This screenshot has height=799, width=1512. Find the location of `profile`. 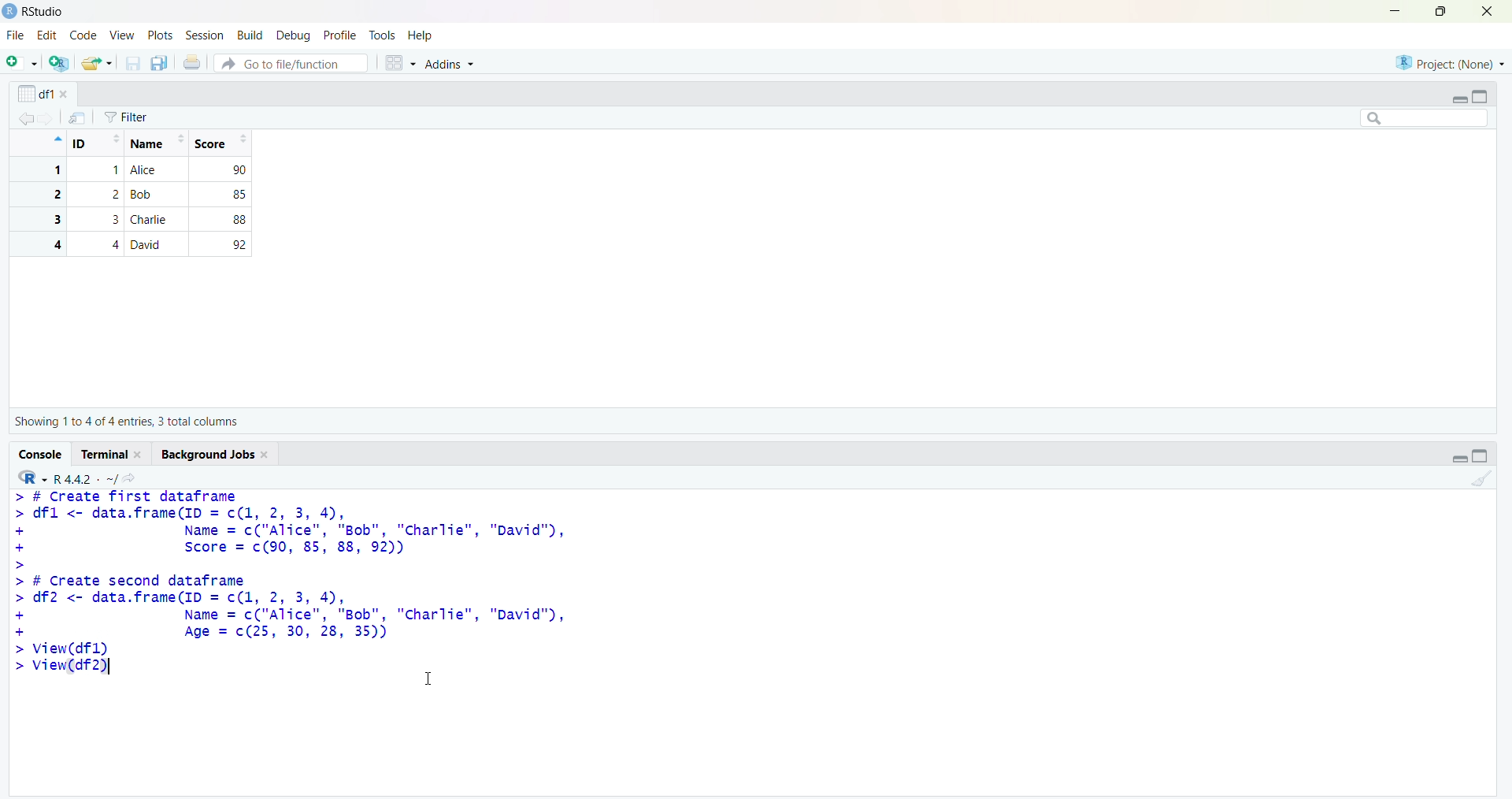

profile is located at coordinates (339, 35).